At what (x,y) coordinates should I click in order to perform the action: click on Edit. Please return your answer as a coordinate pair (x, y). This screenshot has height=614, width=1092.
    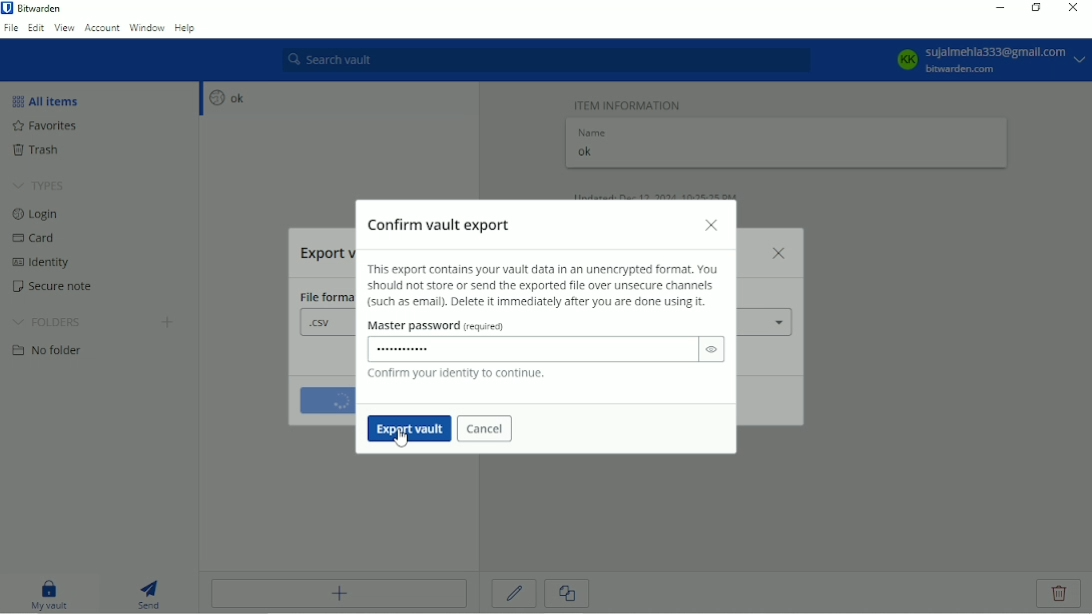
    Looking at the image, I should click on (36, 27).